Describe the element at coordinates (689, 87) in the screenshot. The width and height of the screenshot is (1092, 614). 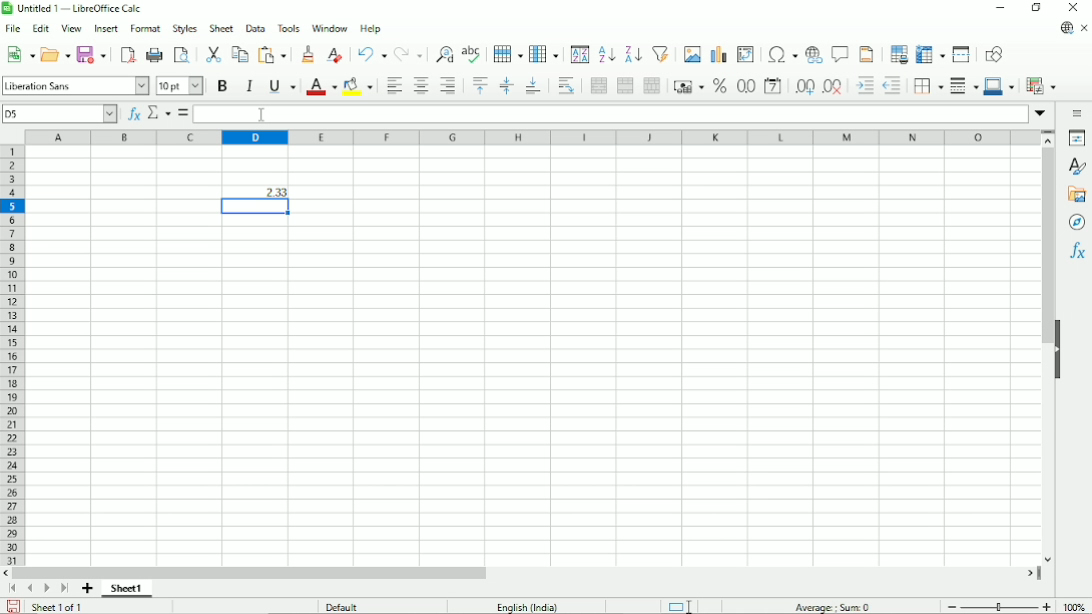
I see `Format as currency` at that location.